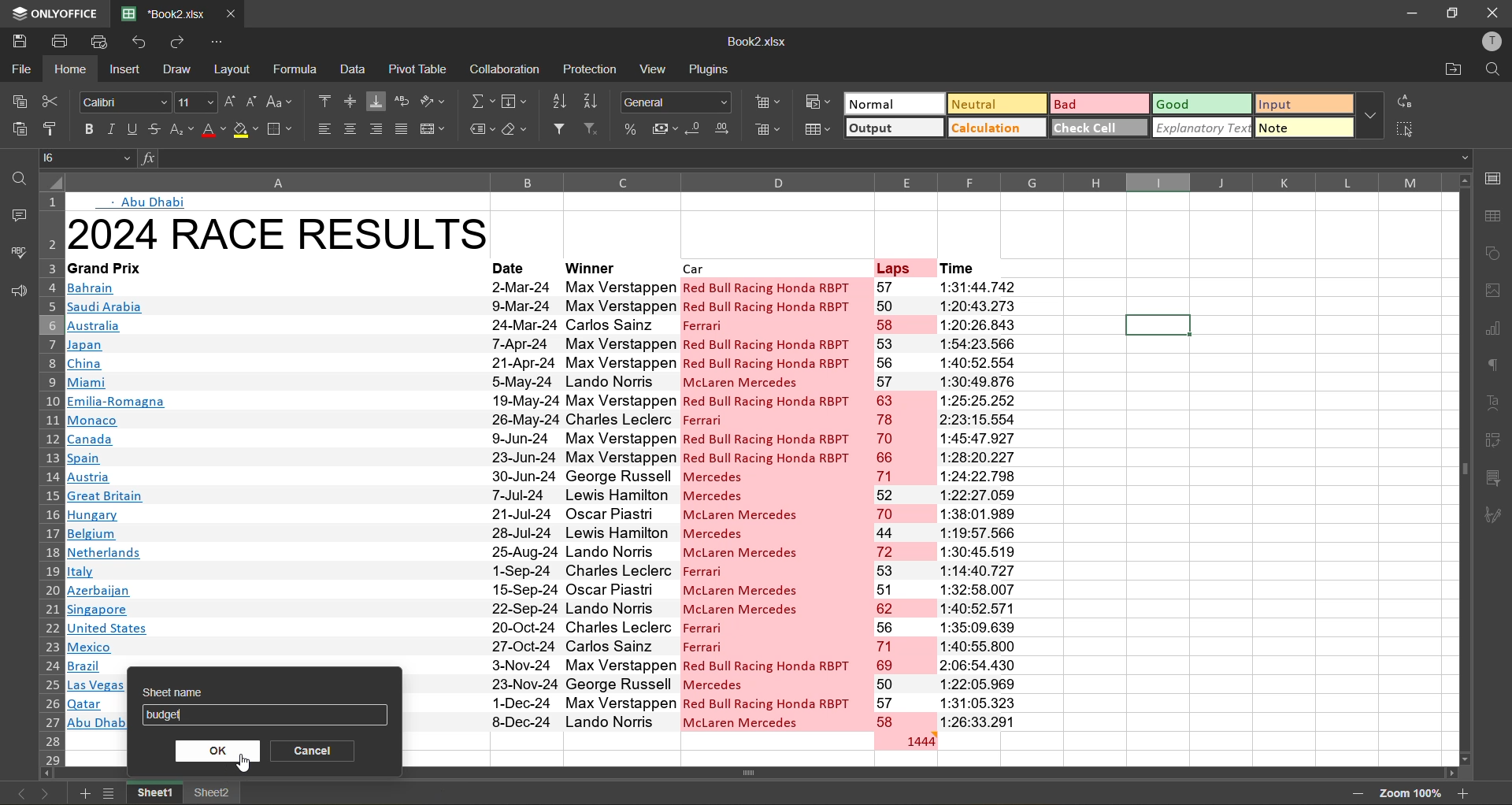 The image size is (1512, 805). I want to click on home, so click(69, 69).